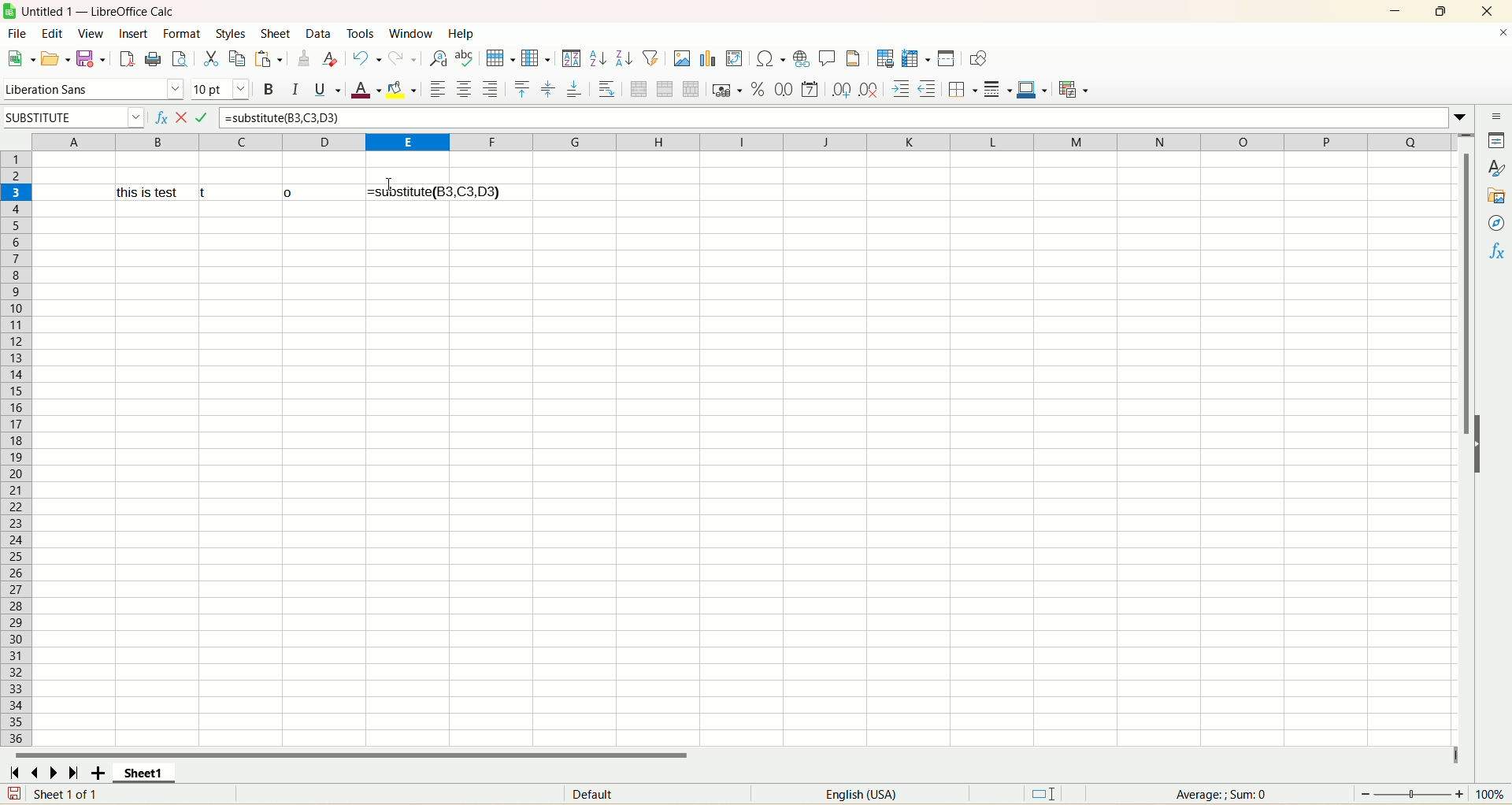 This screenshot has width=1512, height=805. I want to click on spelling, so click(465, 57).